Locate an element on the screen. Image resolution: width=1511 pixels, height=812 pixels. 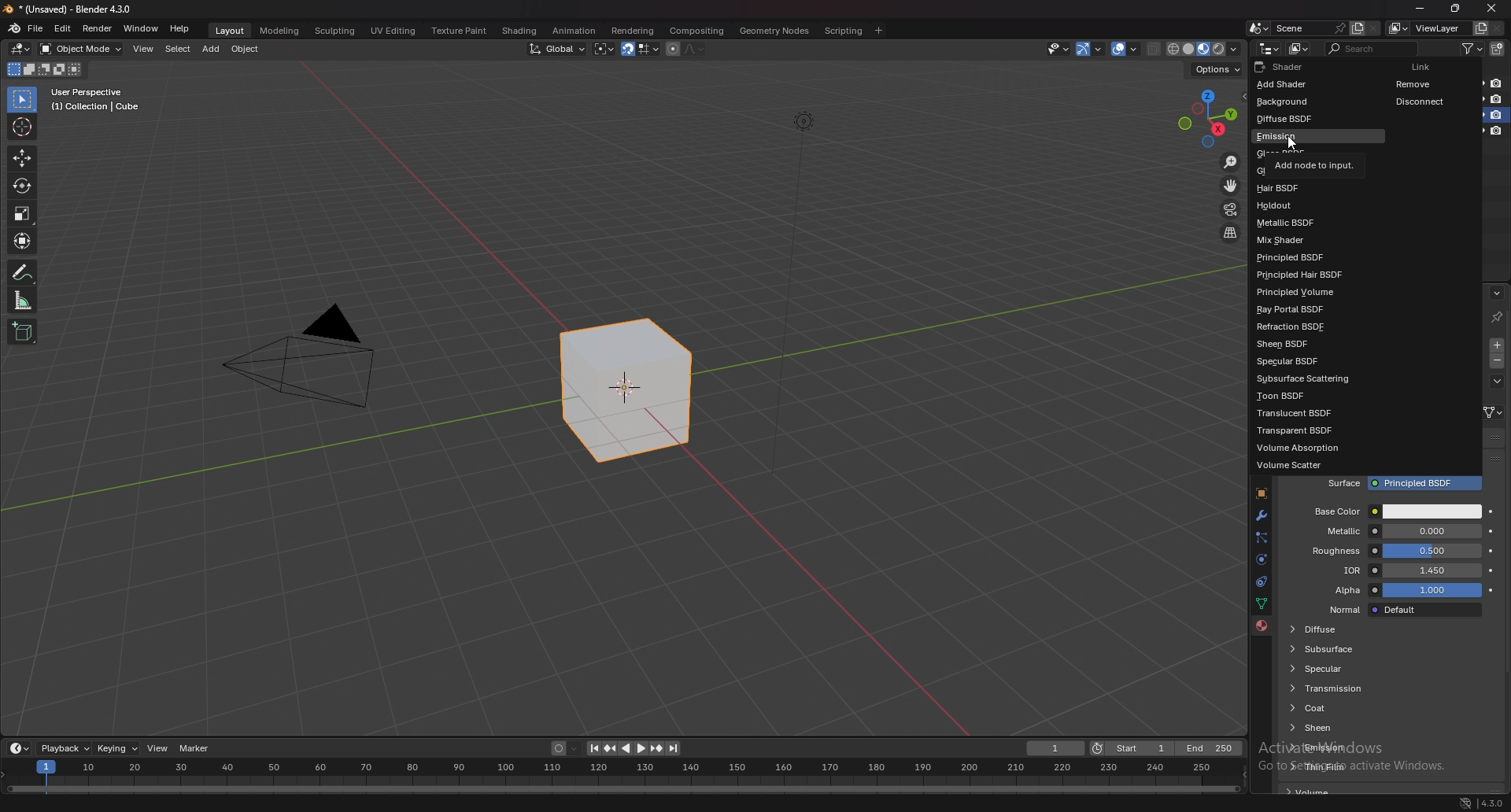
add cube is located at coordinates (22, 333).